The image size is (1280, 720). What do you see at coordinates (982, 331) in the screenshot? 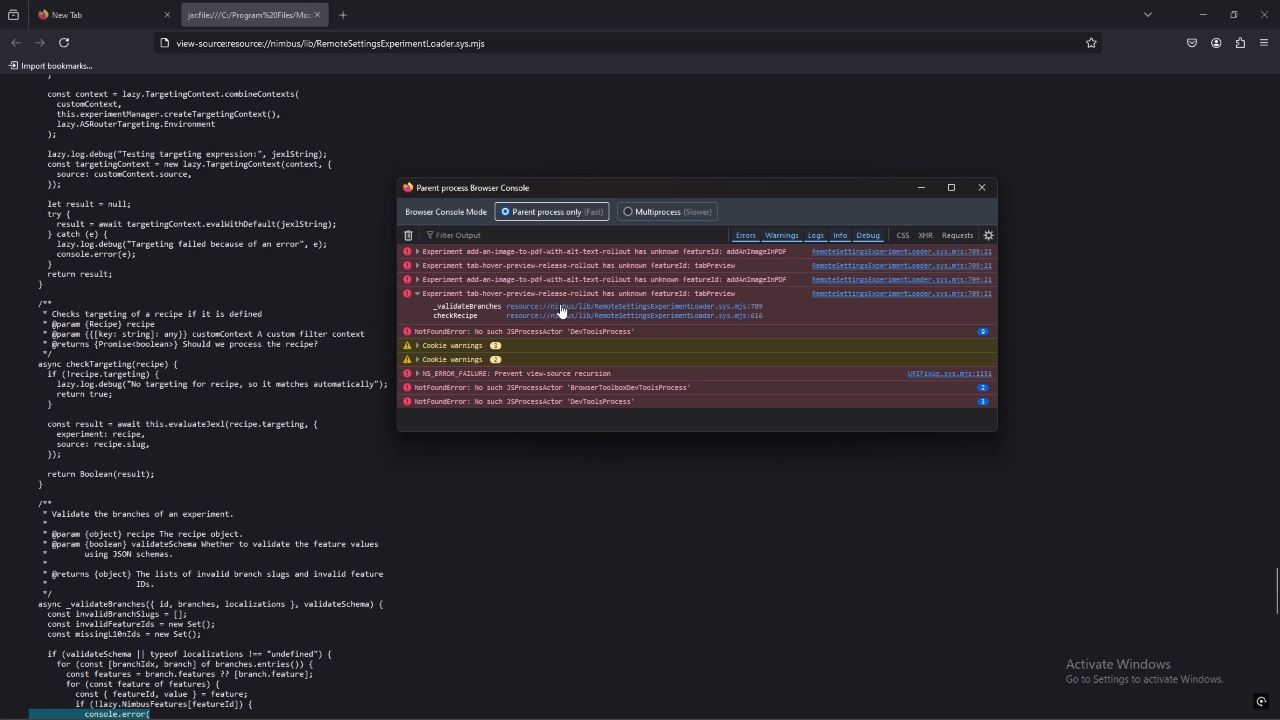
I see `info` at bounding box center [982, 331].